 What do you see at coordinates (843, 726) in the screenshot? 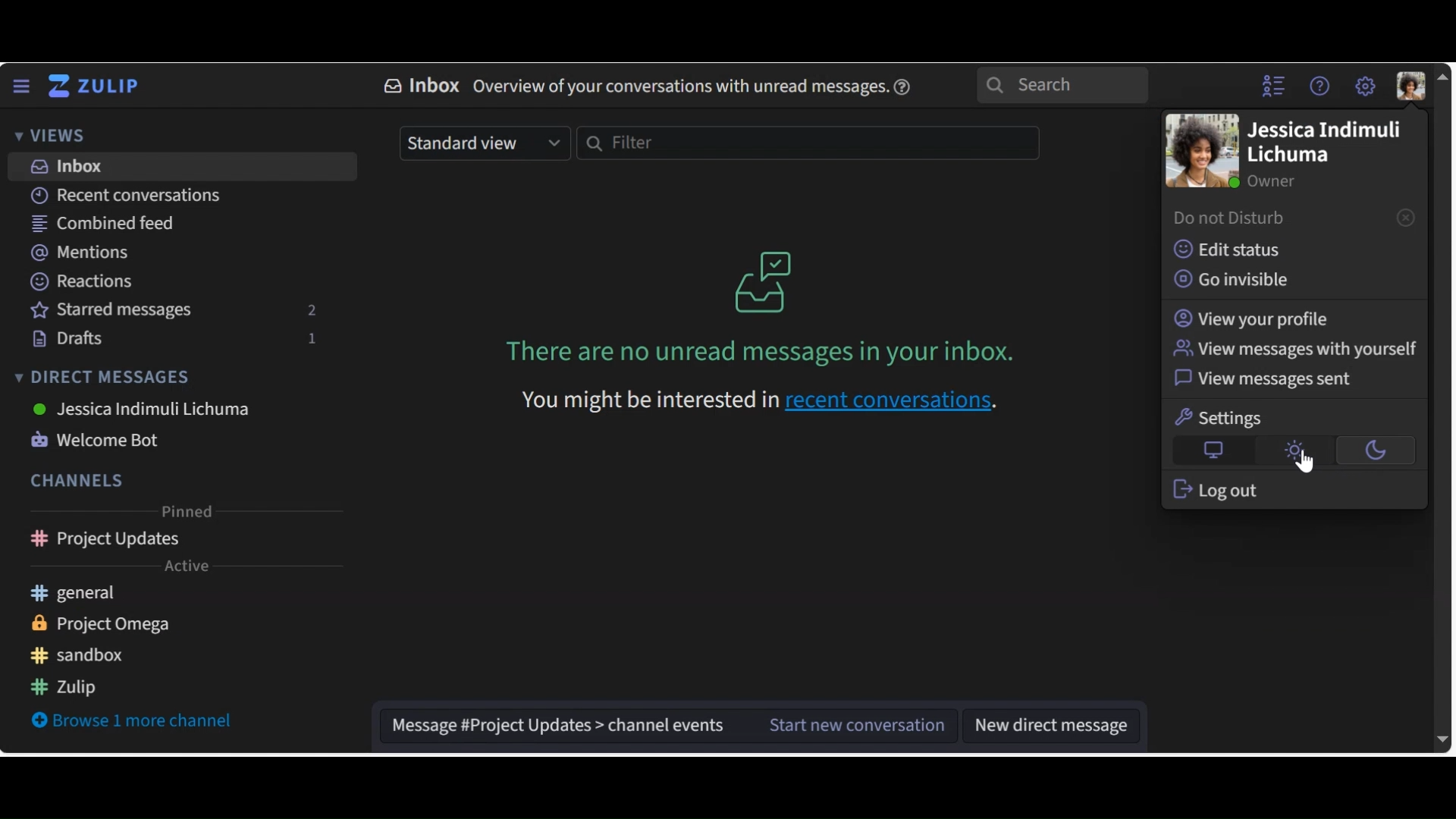
I see `Start new conversation` at bounding box center [843, 726].